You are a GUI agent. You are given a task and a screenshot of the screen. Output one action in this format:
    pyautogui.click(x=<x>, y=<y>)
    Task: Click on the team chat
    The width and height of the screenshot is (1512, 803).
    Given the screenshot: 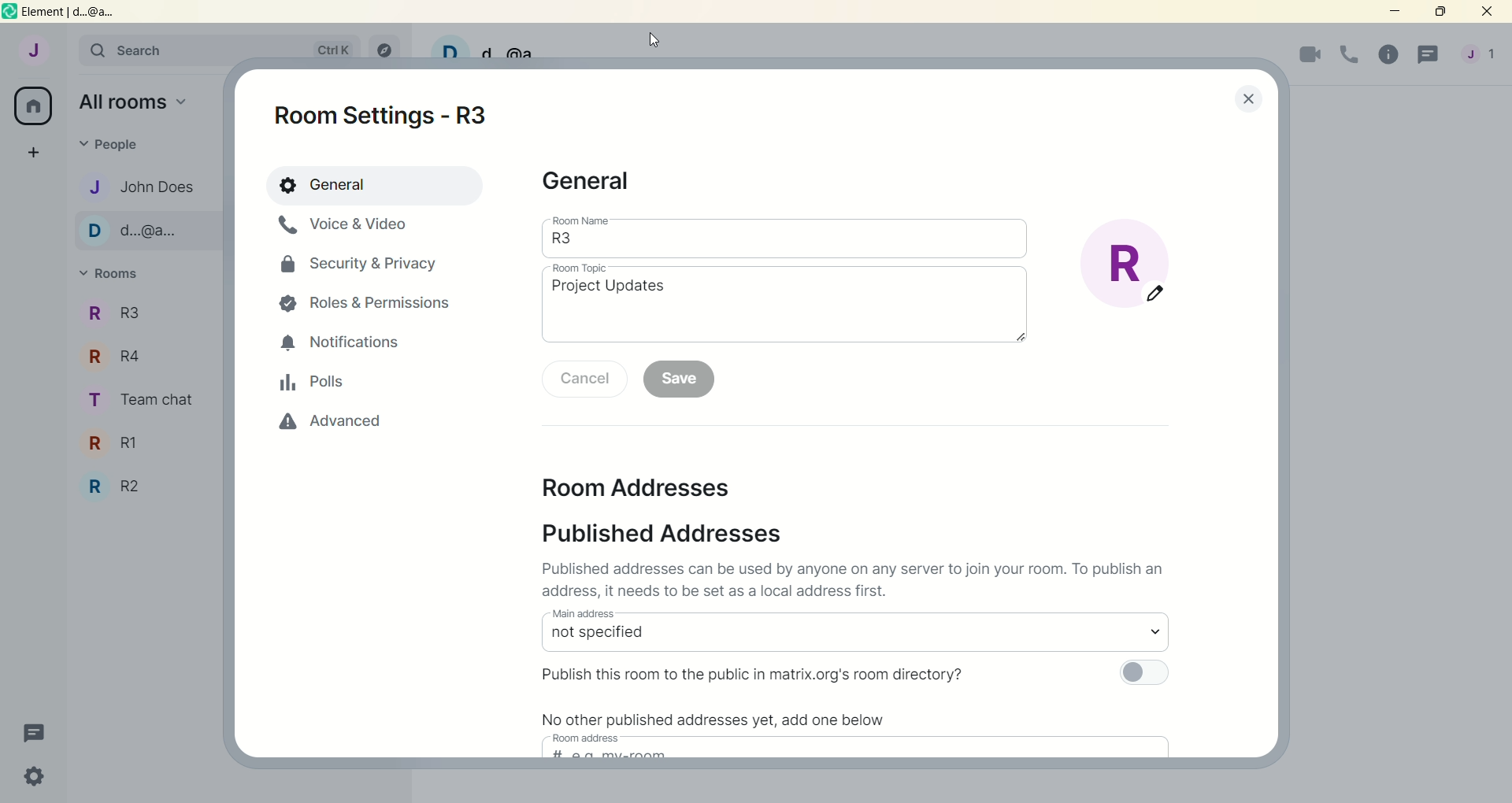 What is the action you would take?
    pyautogui.click(x=142, y=354)
    